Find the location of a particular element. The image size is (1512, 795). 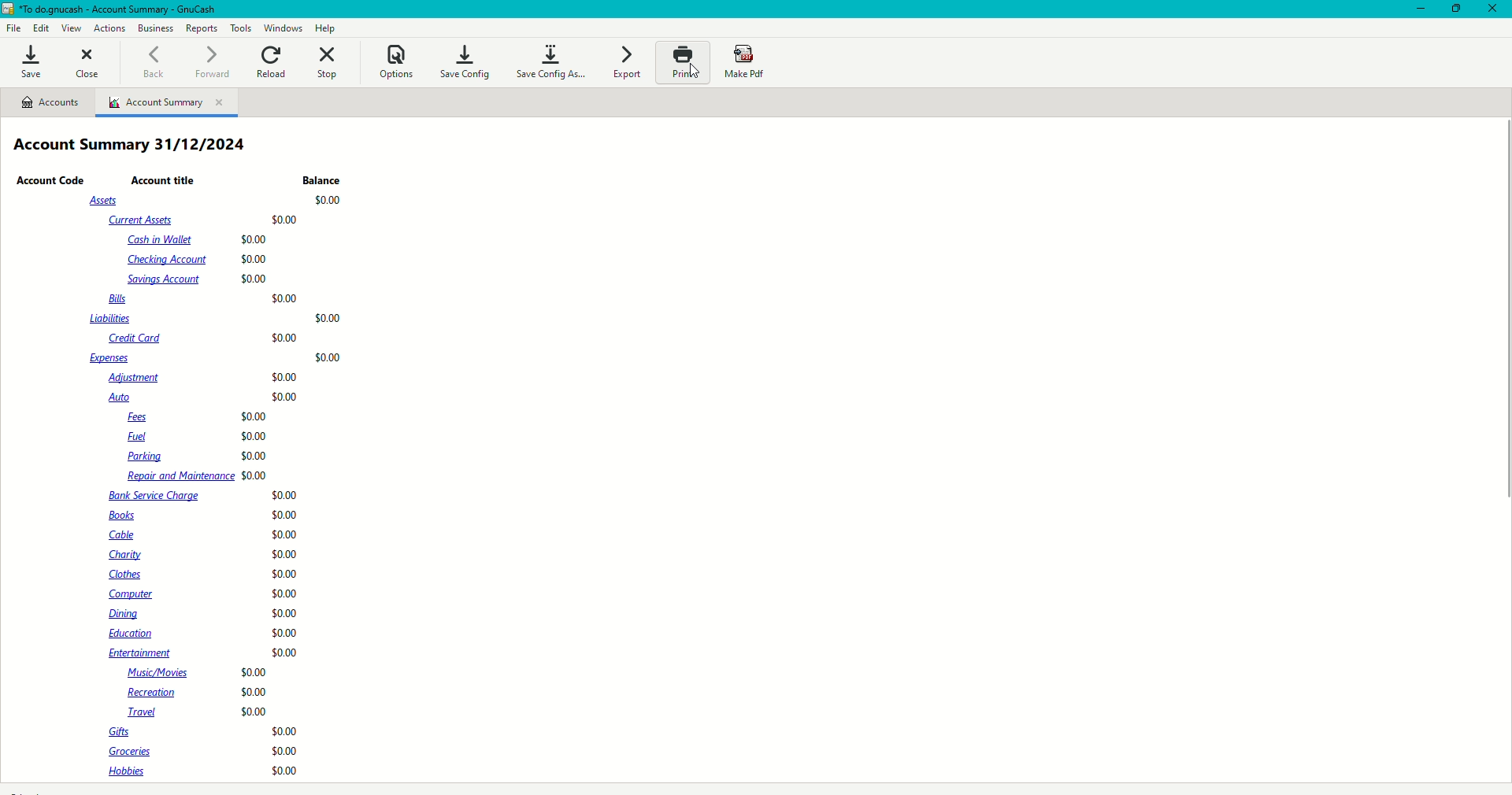

Edit is located at coordinates (43, 28).